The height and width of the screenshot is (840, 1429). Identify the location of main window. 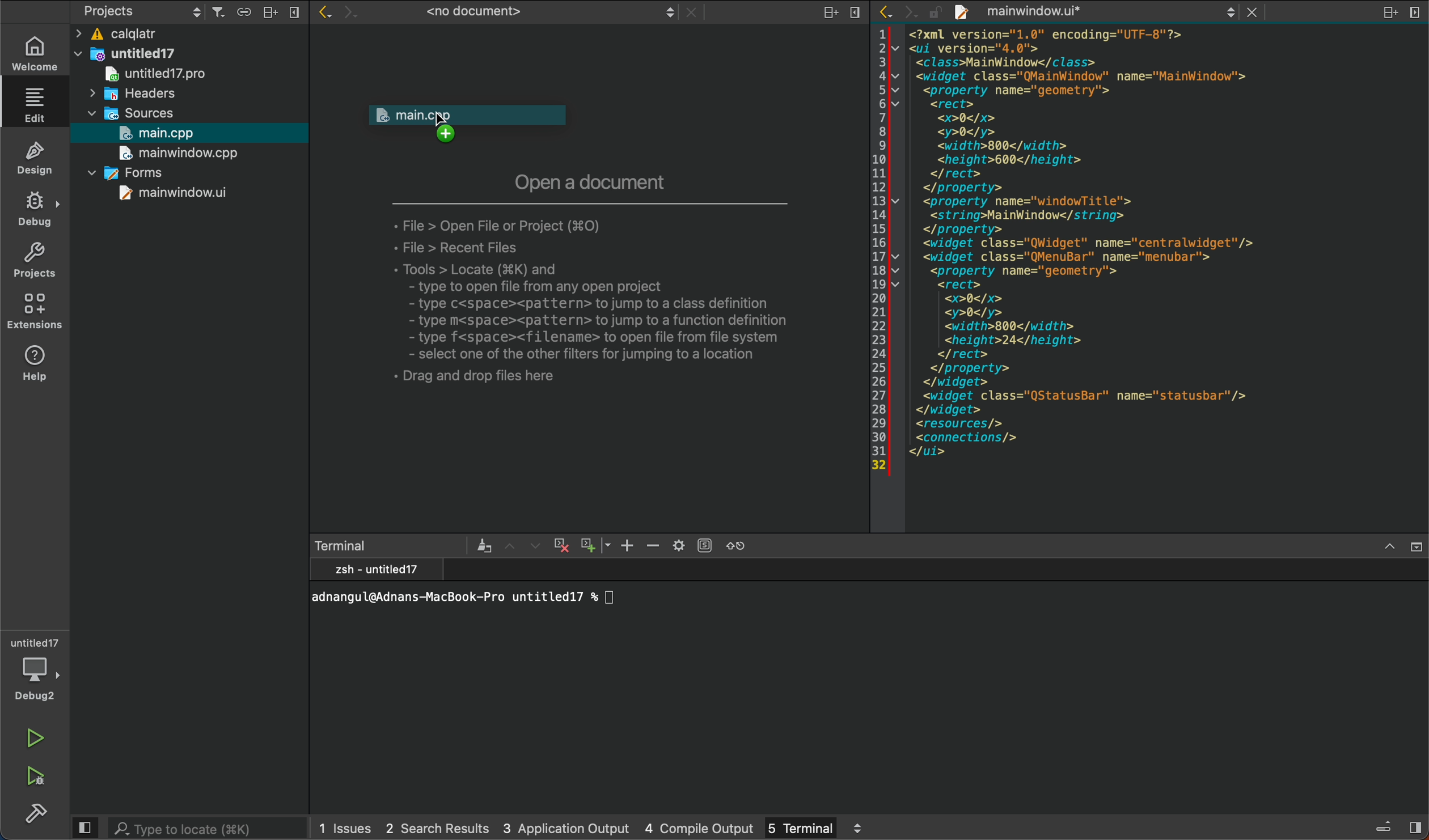
(175, 154).